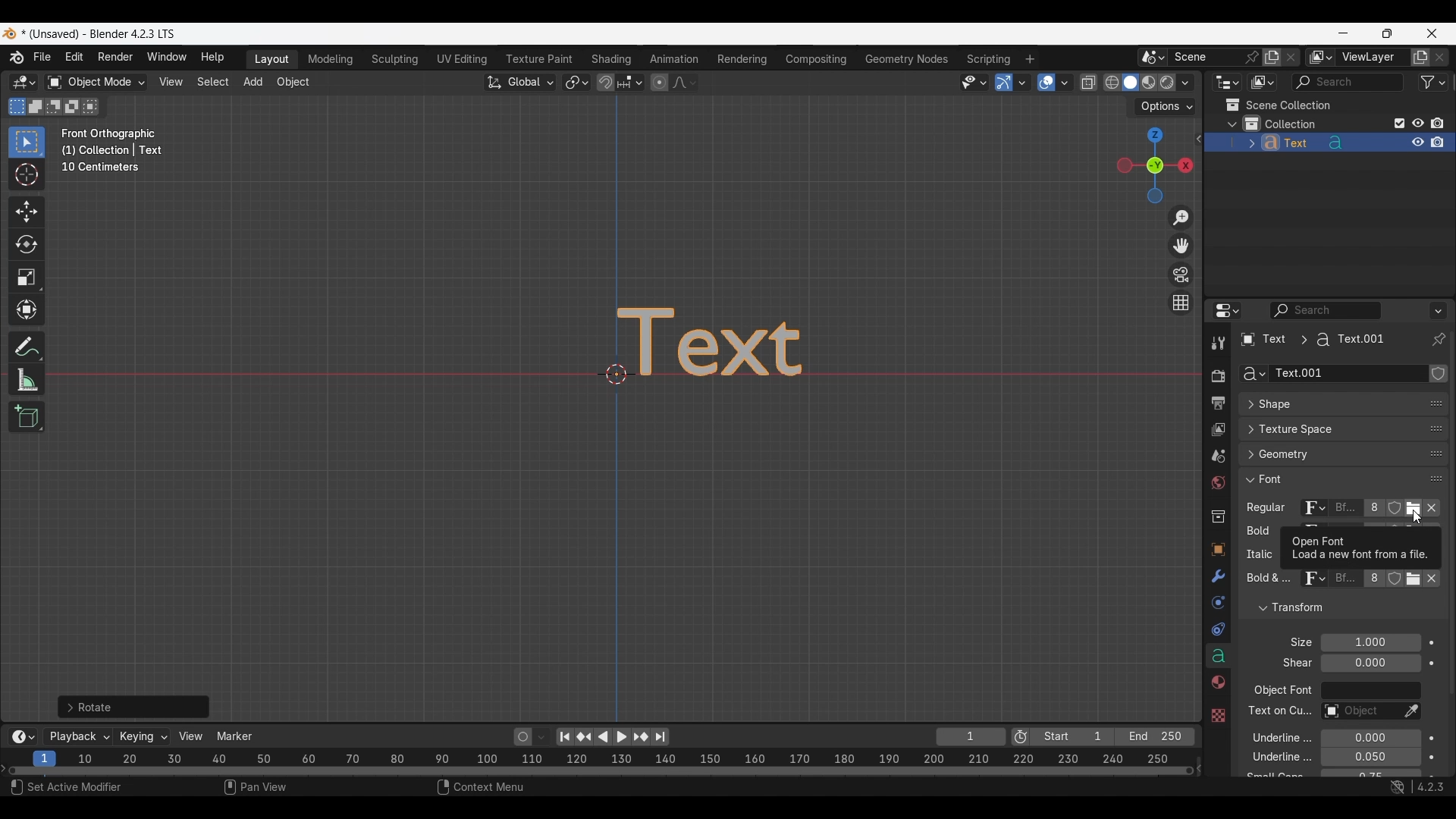 Image resolution: width=1456 pixels, height=819 pixels. Describe the element at coordinates (96, 83) in the screenshot. I see `Sets the object interaction mode` at that location.